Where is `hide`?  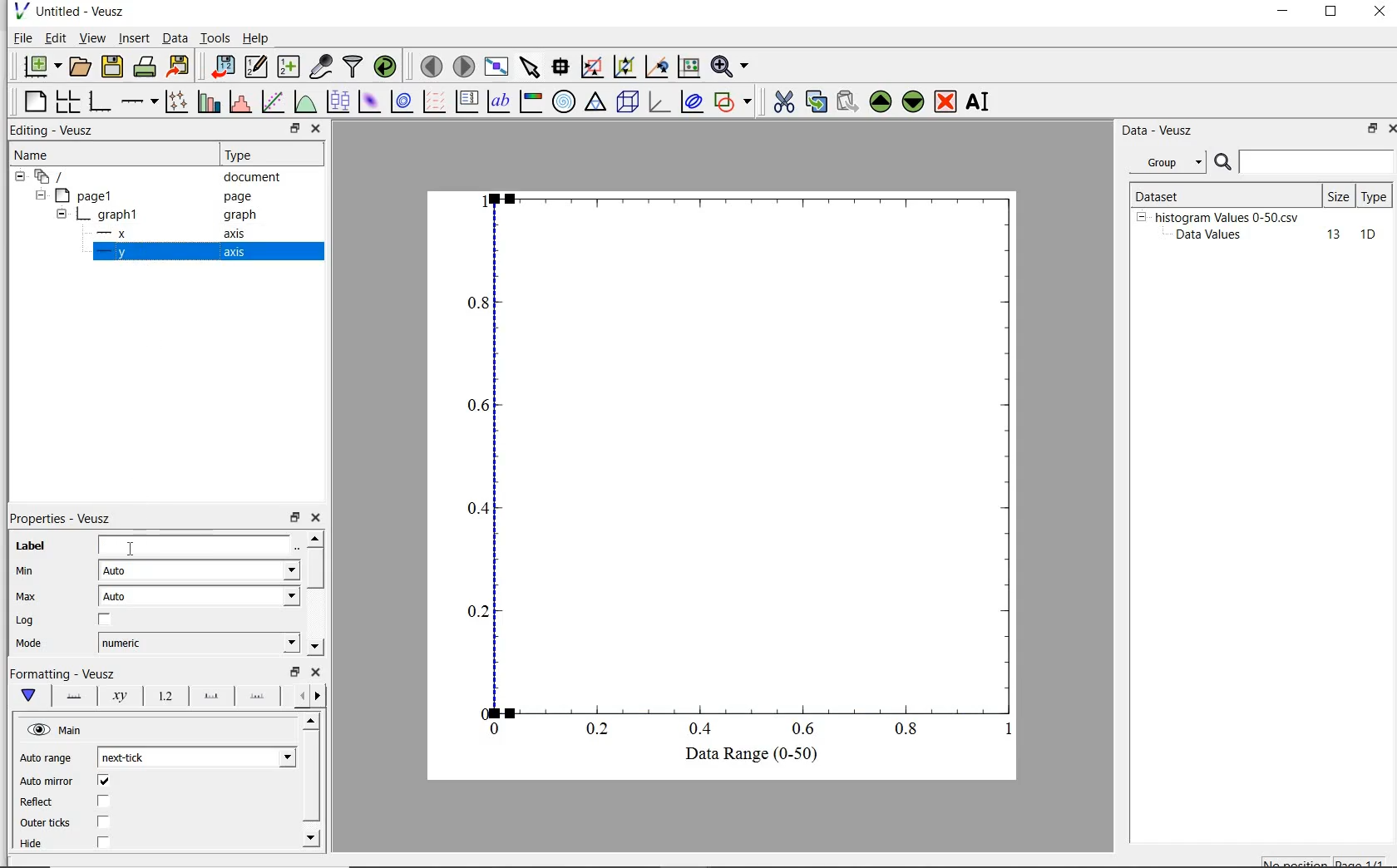
hide is located at coordinates (1141, 216).